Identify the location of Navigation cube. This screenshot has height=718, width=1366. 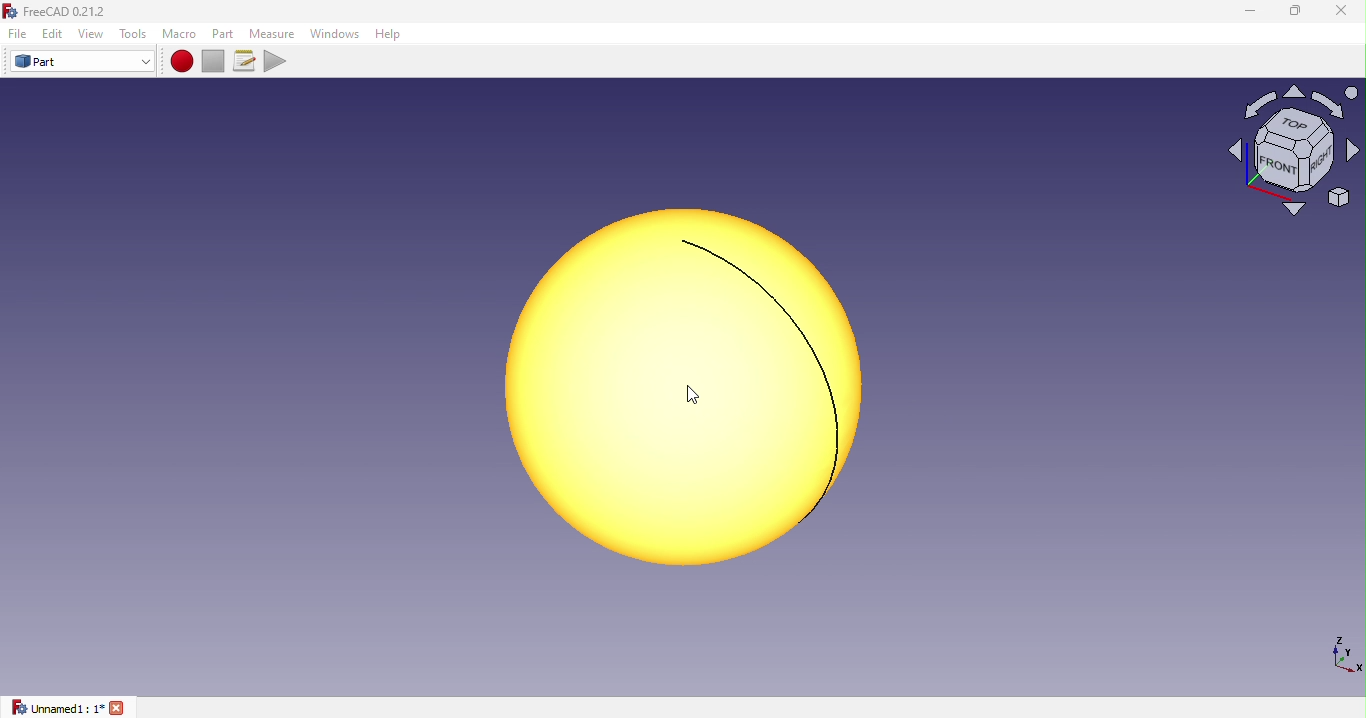
(1293, 158).